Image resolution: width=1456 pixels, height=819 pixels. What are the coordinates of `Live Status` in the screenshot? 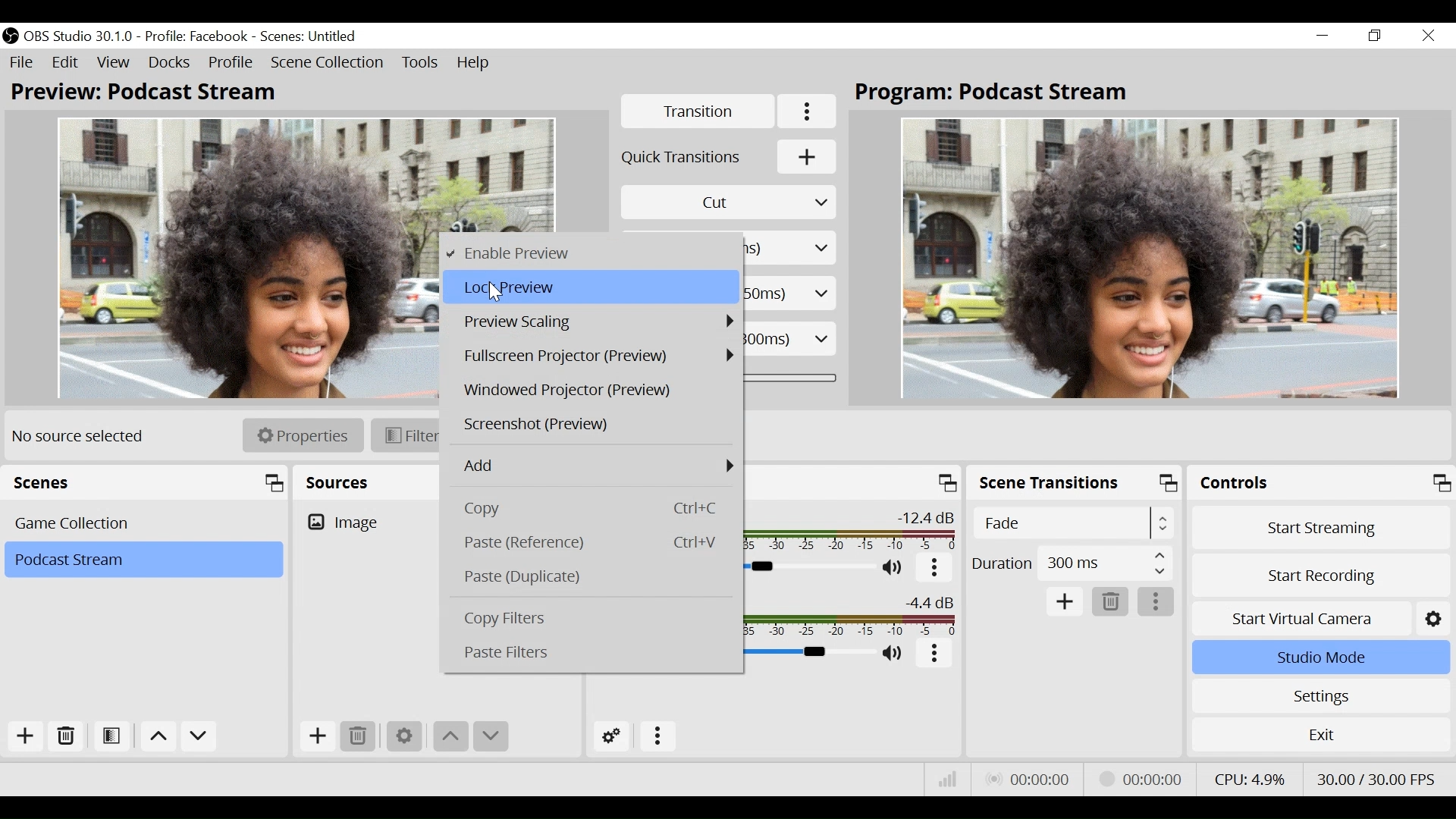 It's located at (1025, 779).